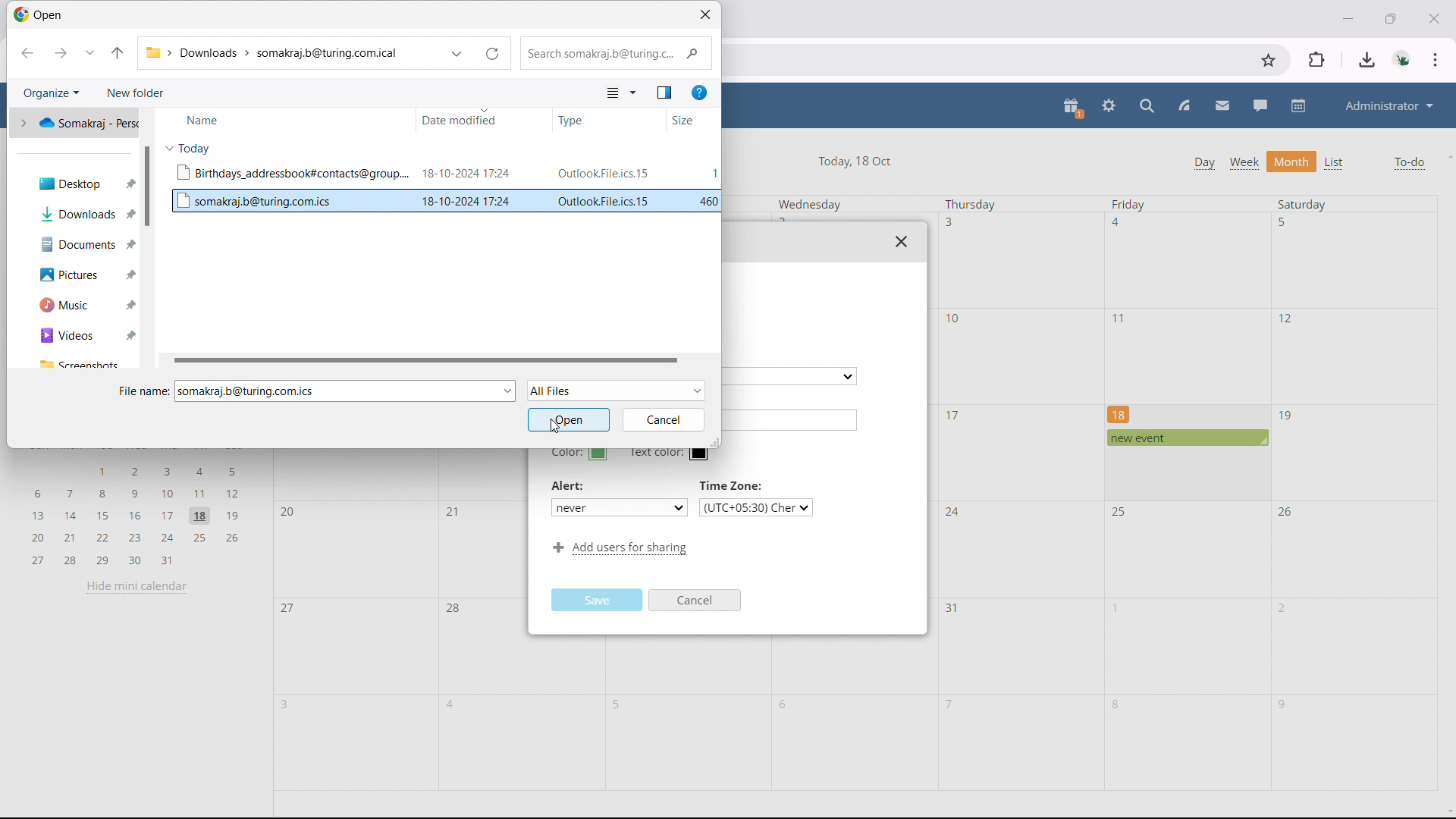 This screenshot has height=819, width=1456. I want to click on Friday, so click(1129, 205).